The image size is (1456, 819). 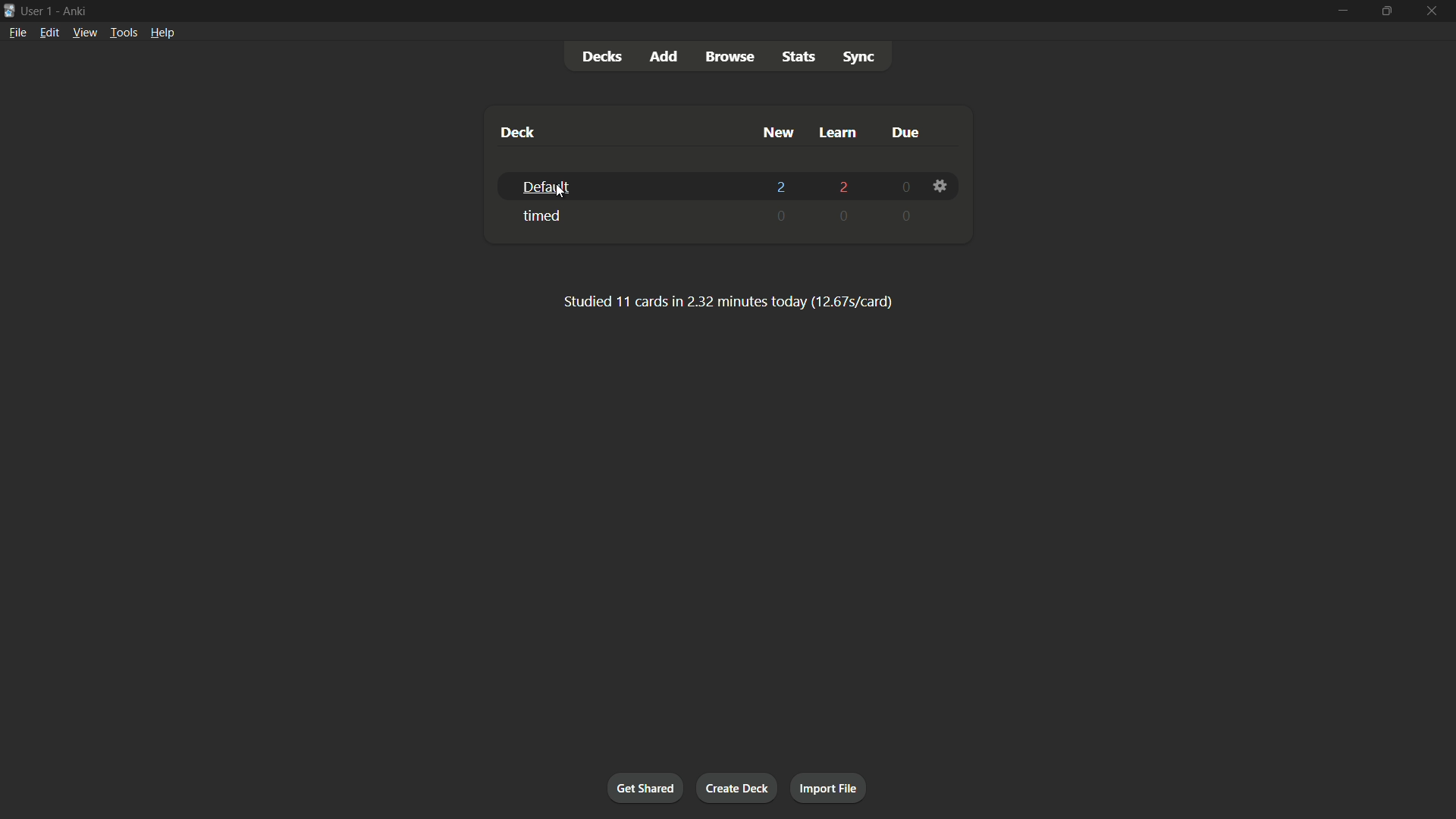 What do you see at coordinates (722, 302) in the screenshot?
I see `Studied 11 cards in 2.32 minutes today (12.67s/card)` at bounding box center [722, 302].